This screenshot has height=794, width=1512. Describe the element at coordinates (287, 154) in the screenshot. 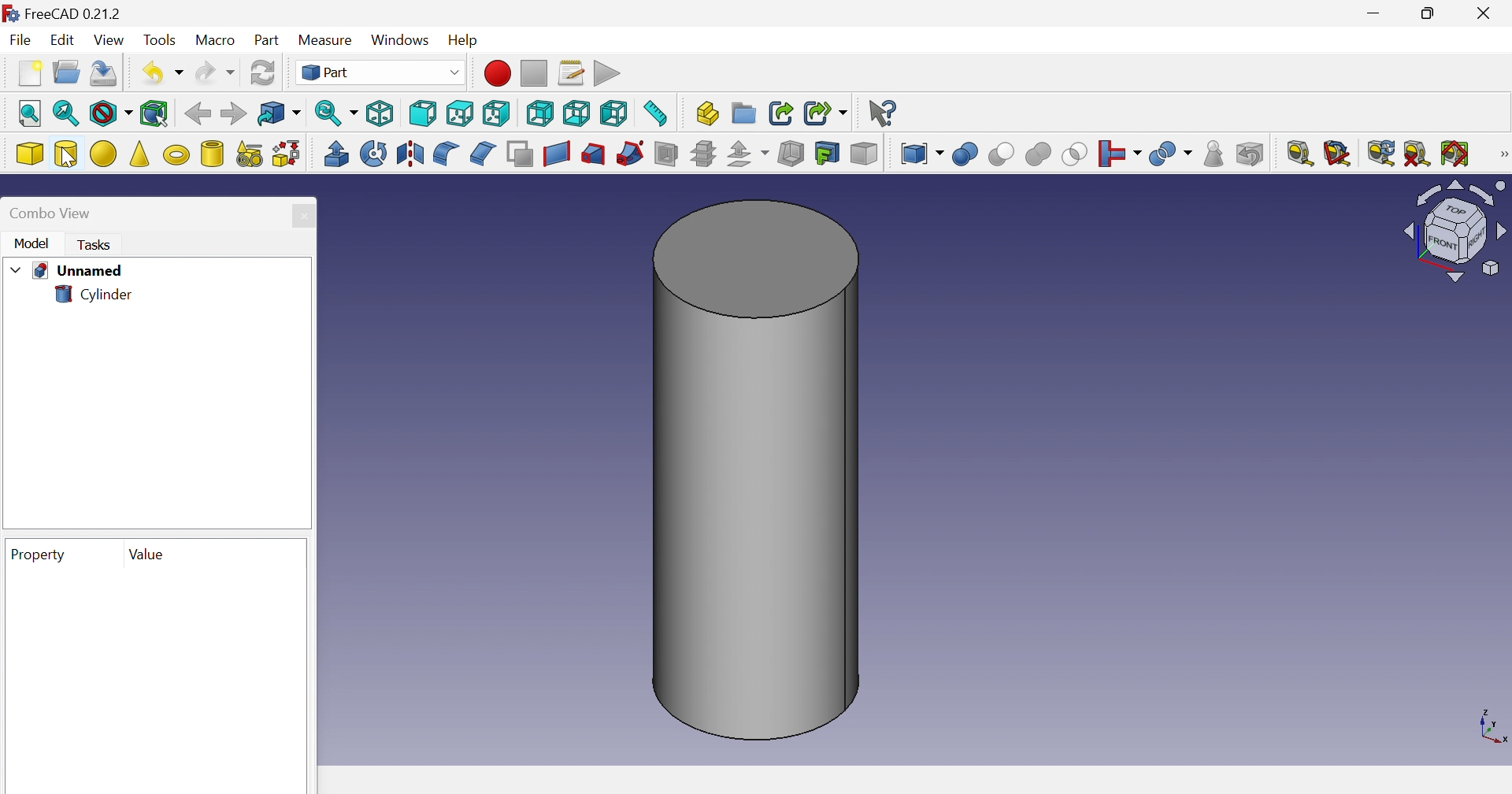

I see `Shape builder` at that location.